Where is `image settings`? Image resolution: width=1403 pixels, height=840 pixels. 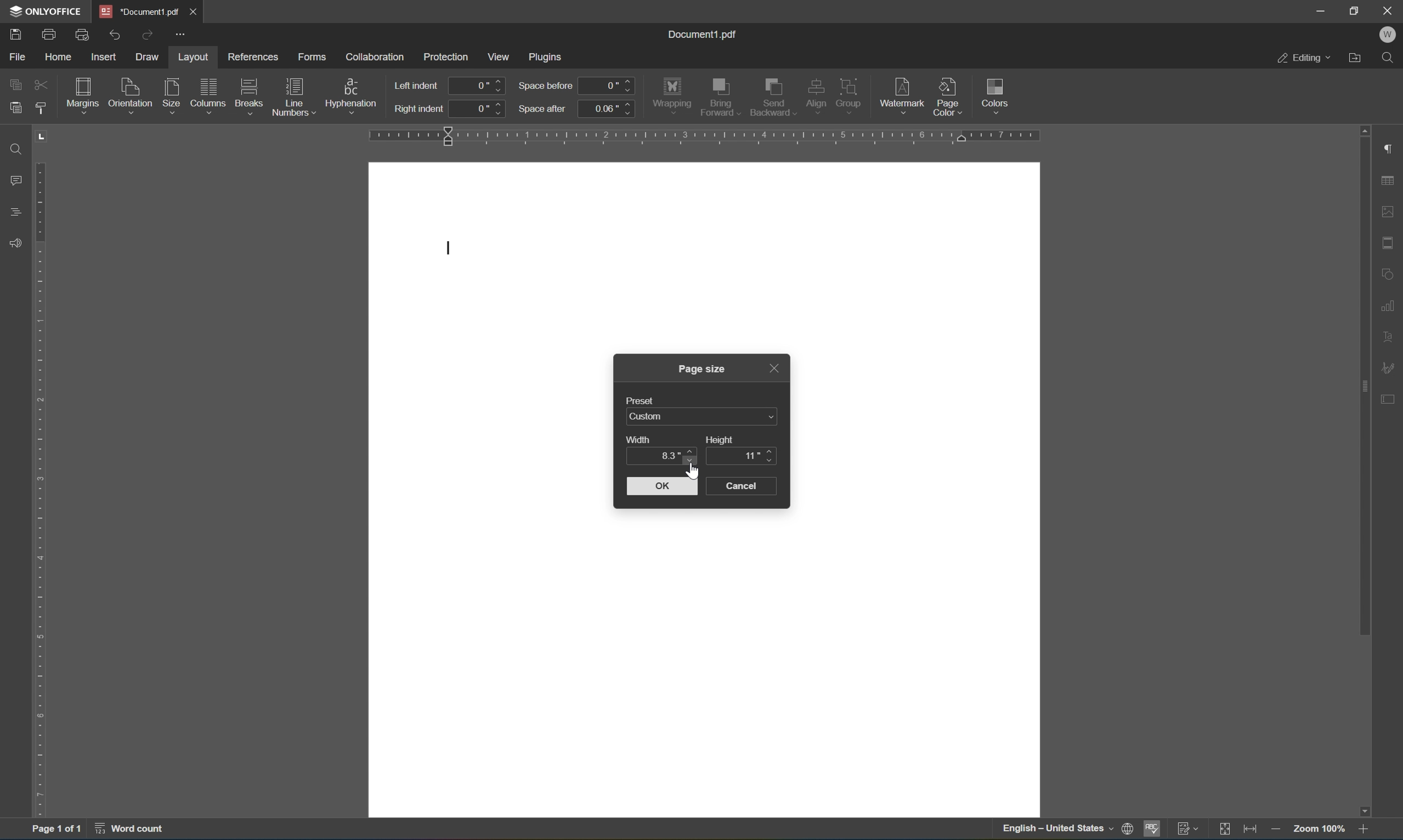 image settings is located at coordinates (1389, 213).